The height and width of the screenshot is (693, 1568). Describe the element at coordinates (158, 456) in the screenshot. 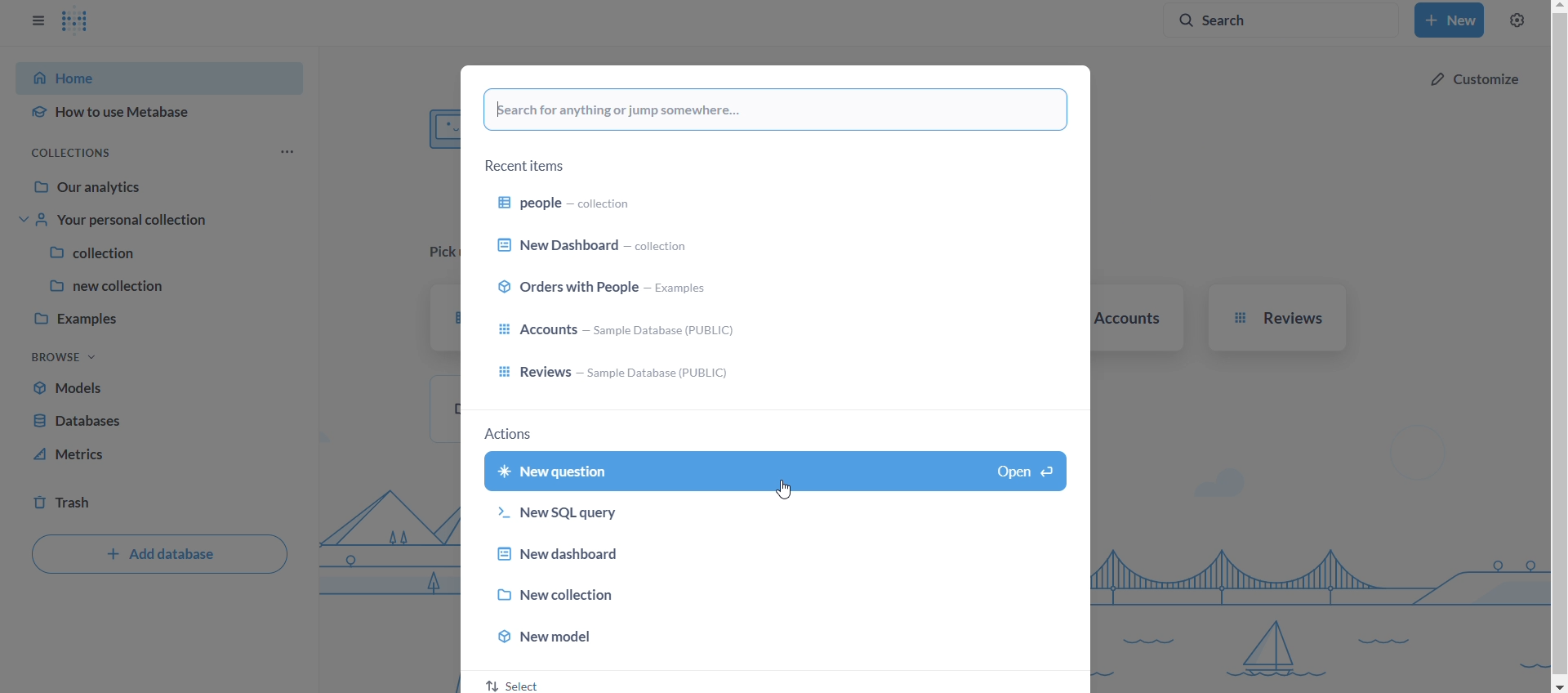

I see `metrics` at that location.